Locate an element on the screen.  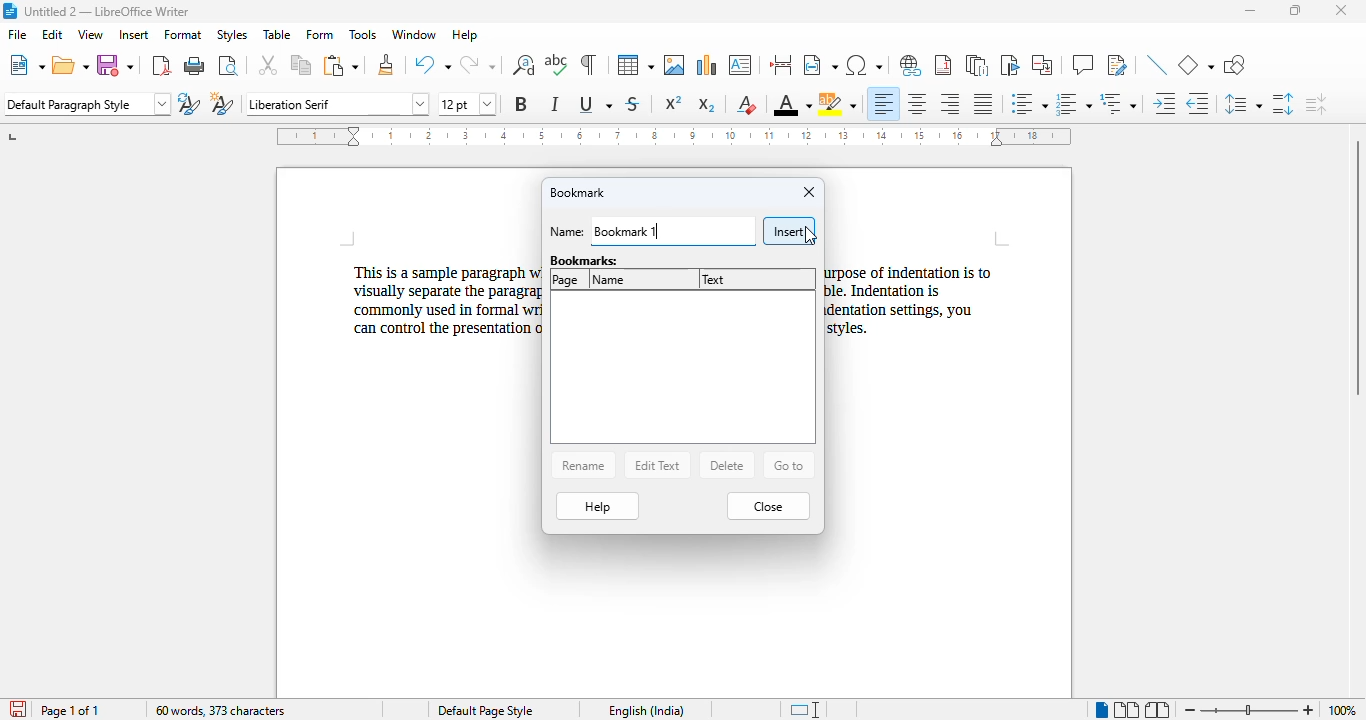
table is located at coordinates (635, 65).